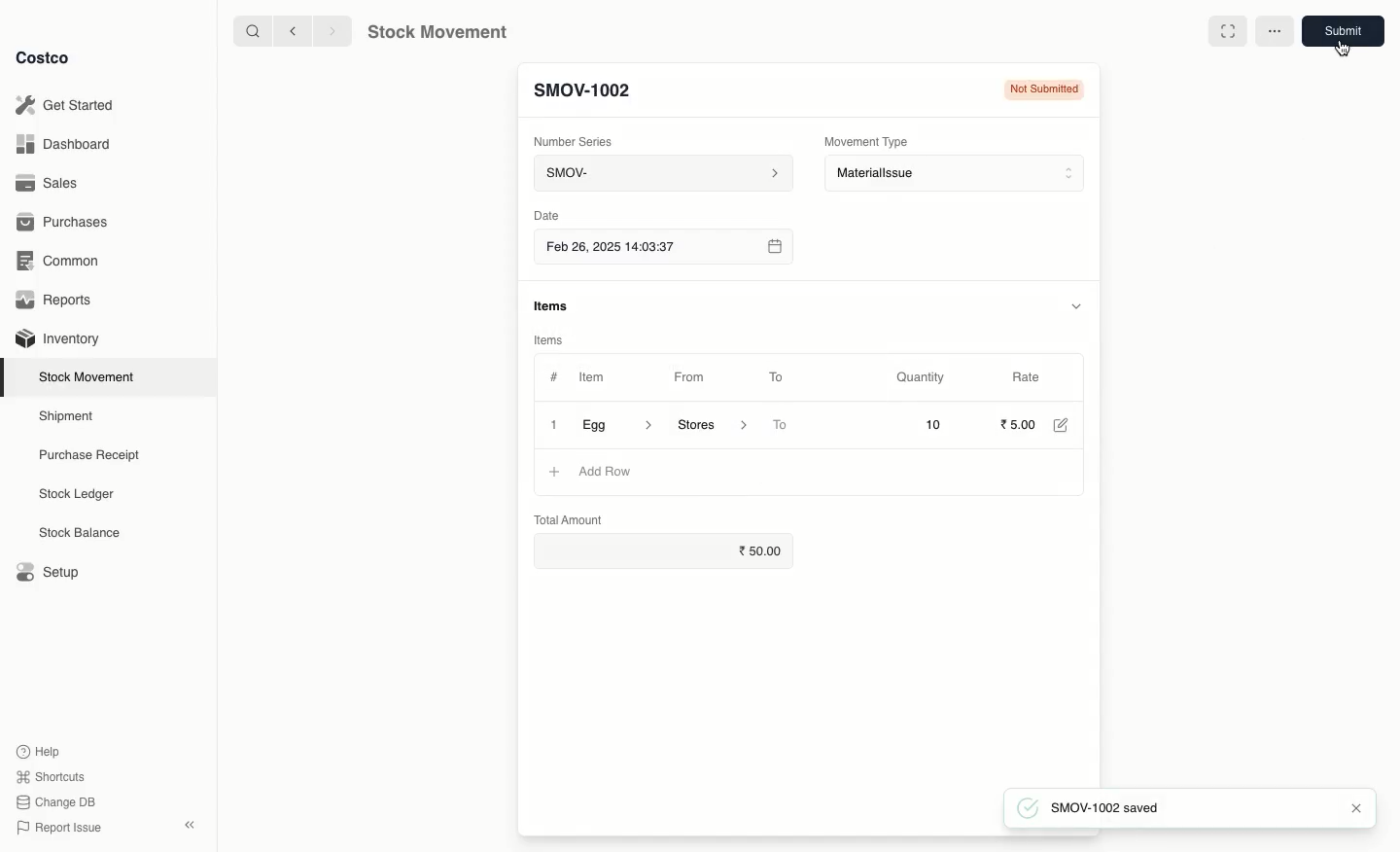 Image resolution: width=1400 pixels, height=852 pixels. What do you see at coordinates (69, 104) in the screenshot?
I see `Get Started` at bounding box center [69, 104].